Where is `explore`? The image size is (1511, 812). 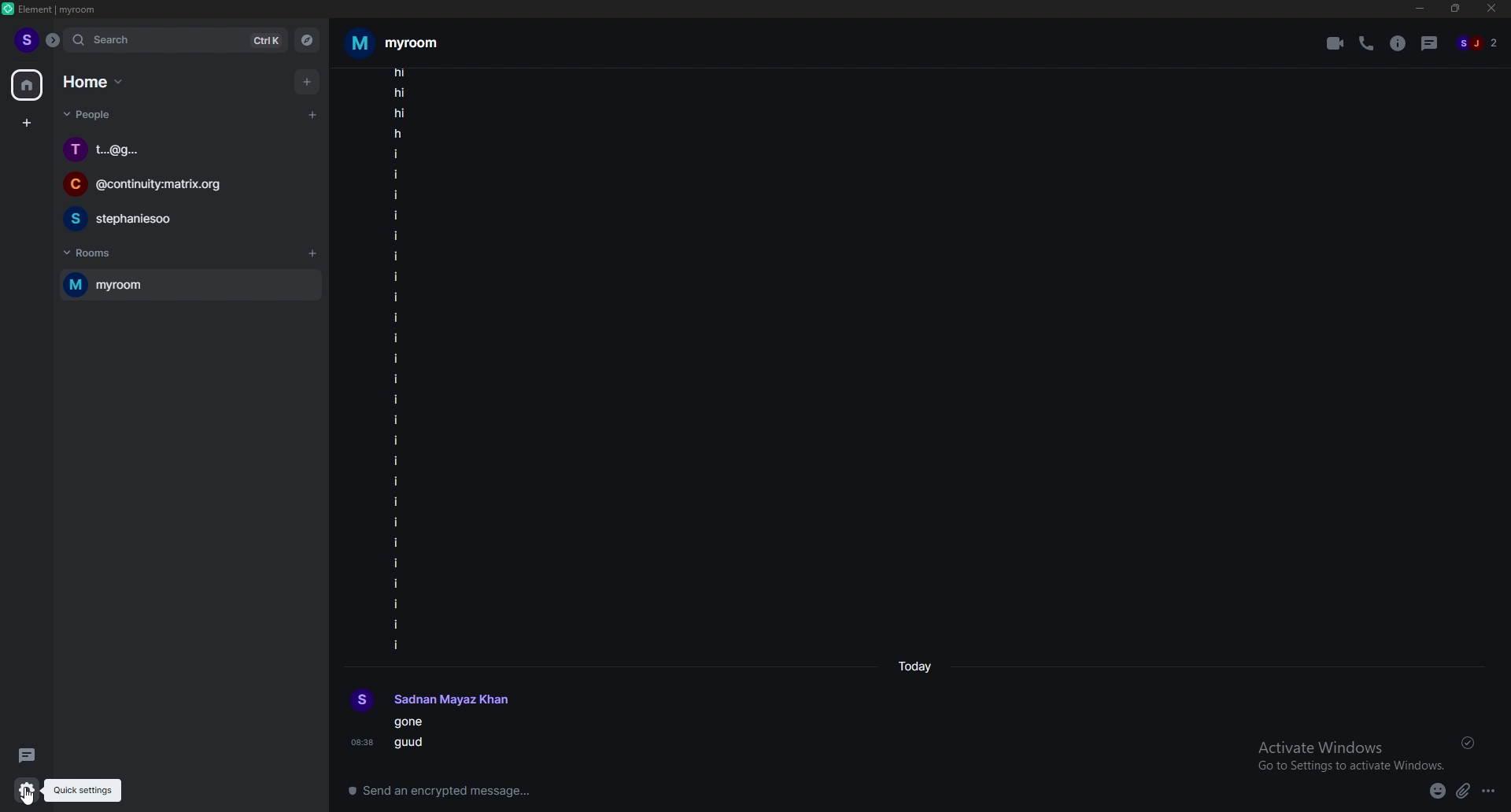 explore is located at coordinates (307, 39).